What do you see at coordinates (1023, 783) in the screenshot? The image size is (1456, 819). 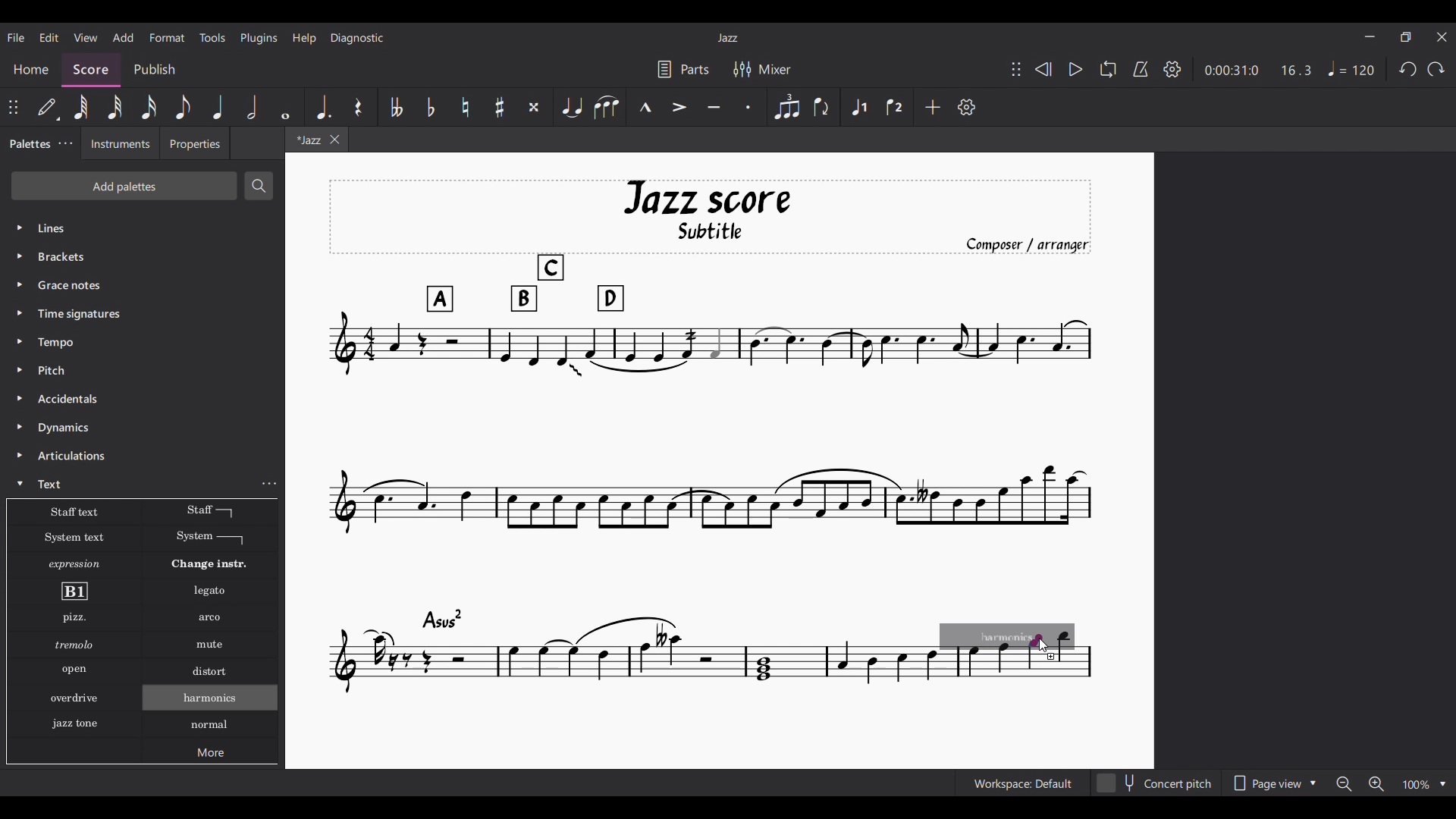 I see `Current workspace setting` at bounding box center [1023, 783].